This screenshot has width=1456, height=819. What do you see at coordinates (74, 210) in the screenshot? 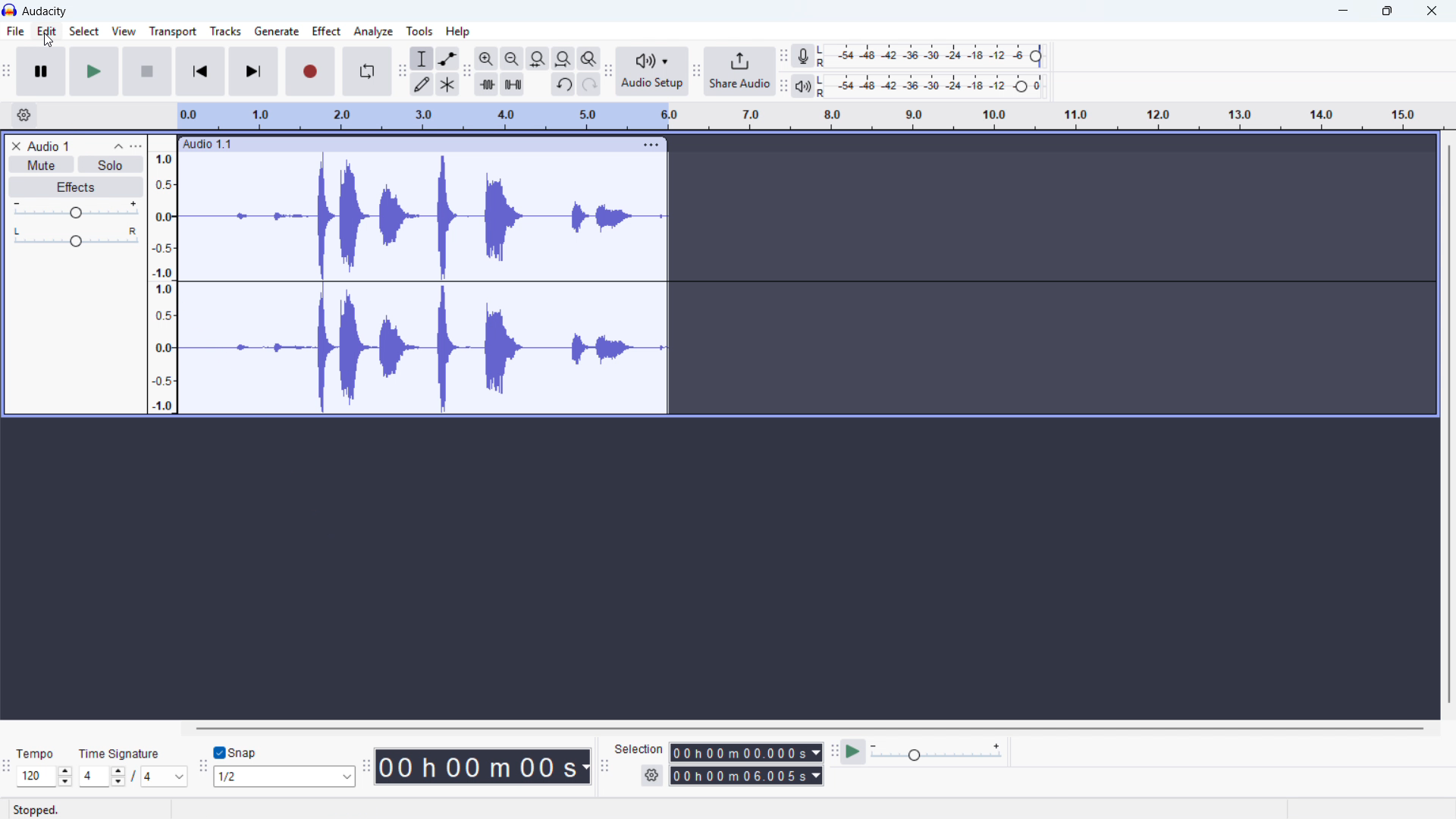
I see `gain` at bounding box center [74, 210].